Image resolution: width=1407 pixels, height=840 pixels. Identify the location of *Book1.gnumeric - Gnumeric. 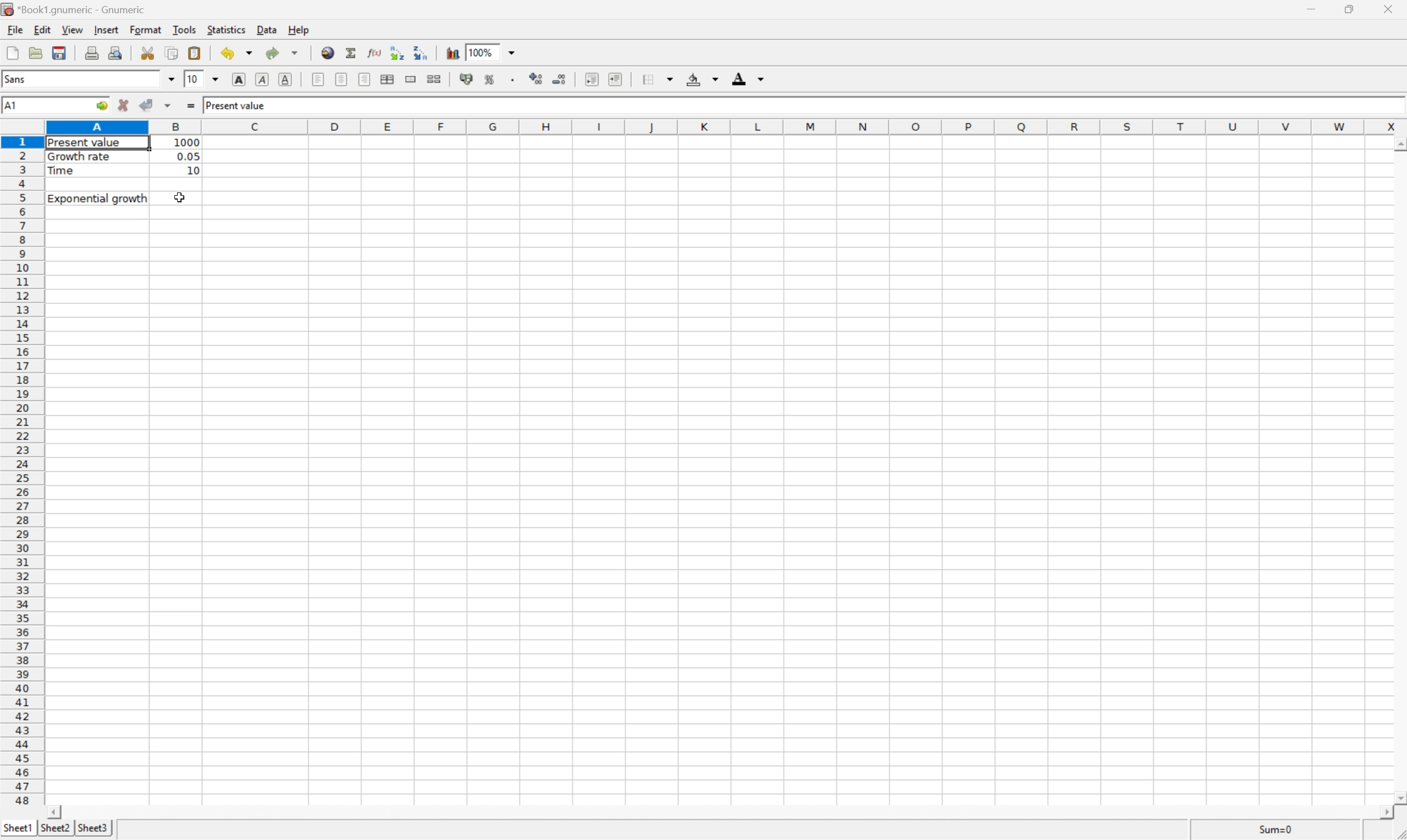
(76, 8).